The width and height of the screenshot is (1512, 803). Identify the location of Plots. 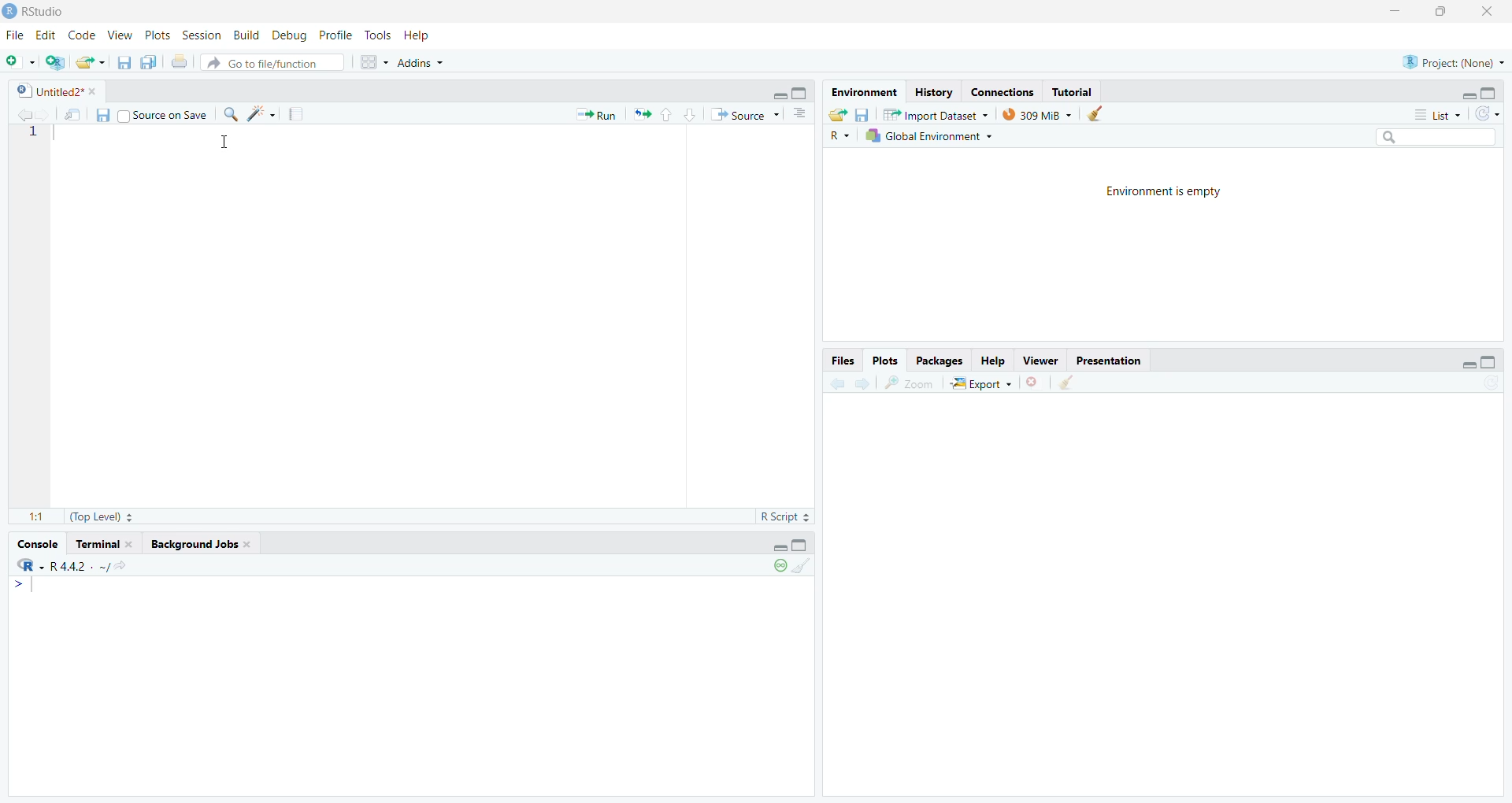
(882, 356).